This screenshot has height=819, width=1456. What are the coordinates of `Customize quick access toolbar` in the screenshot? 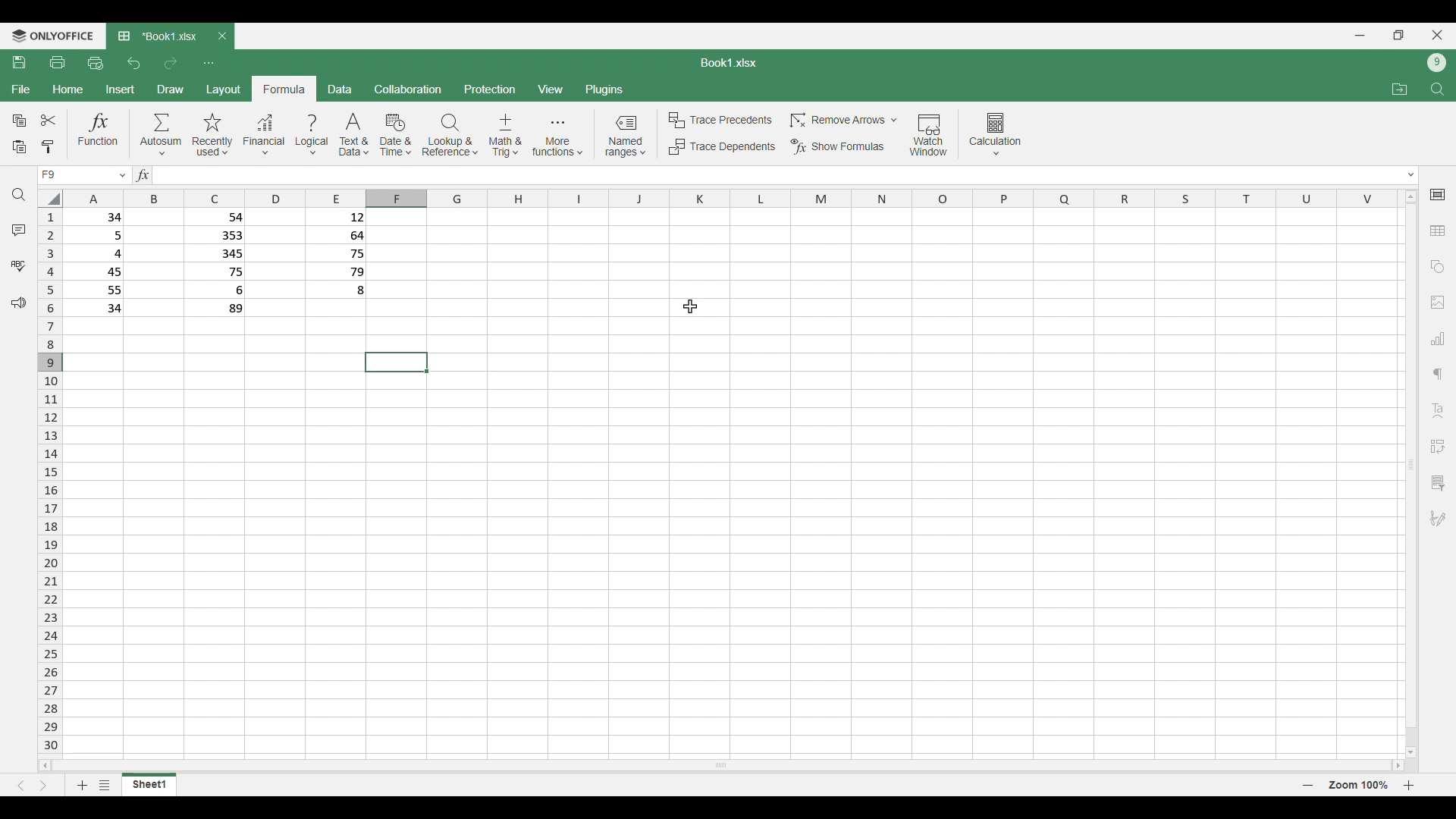 It's located at (209, 64).